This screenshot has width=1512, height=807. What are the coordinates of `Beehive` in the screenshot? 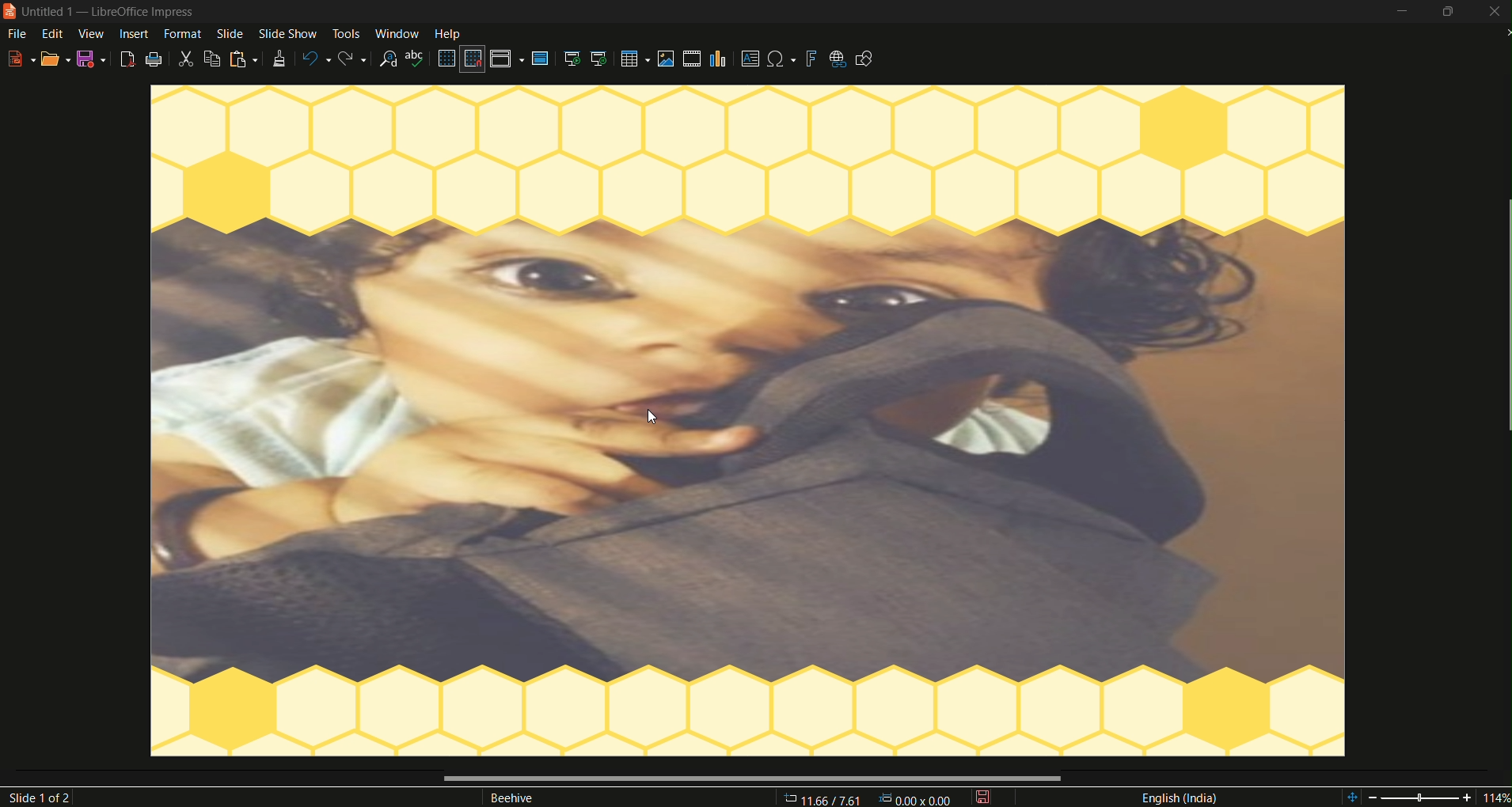 It's located at (518, 798).